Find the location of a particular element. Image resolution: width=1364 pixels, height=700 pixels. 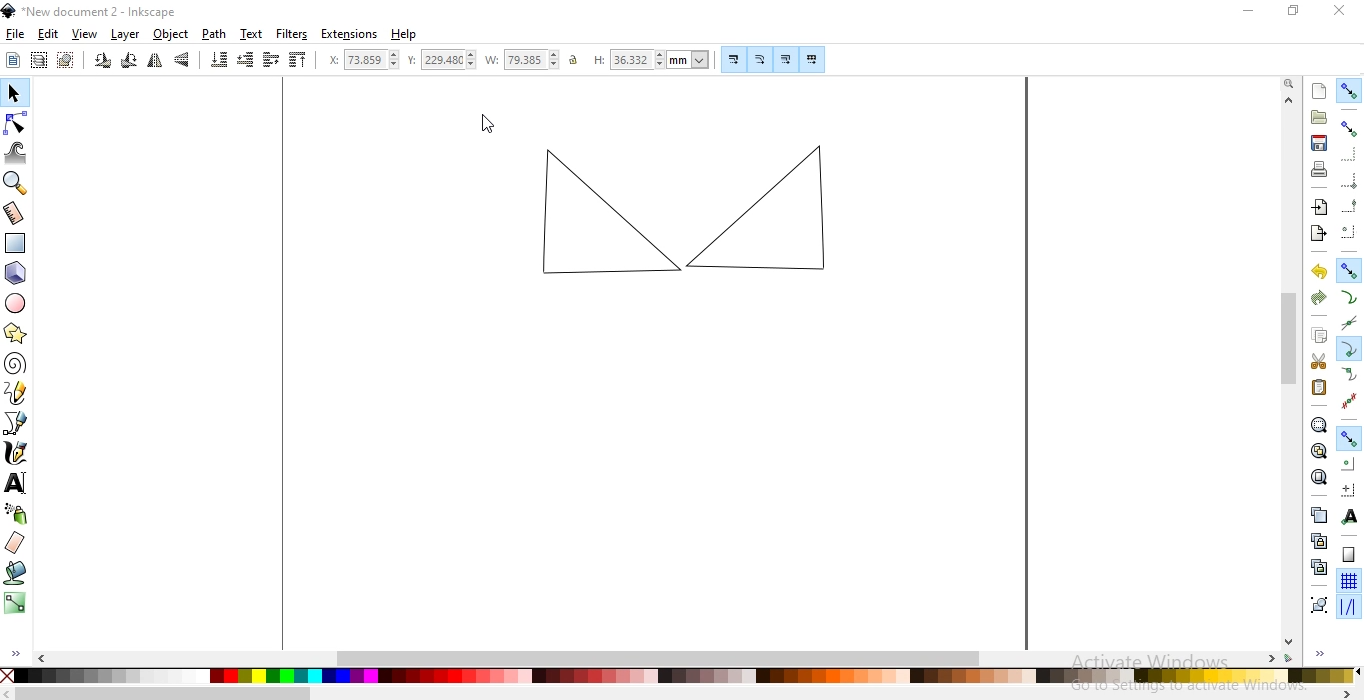

rotate 90 counter clockwise is located at coordinates (103, 61).